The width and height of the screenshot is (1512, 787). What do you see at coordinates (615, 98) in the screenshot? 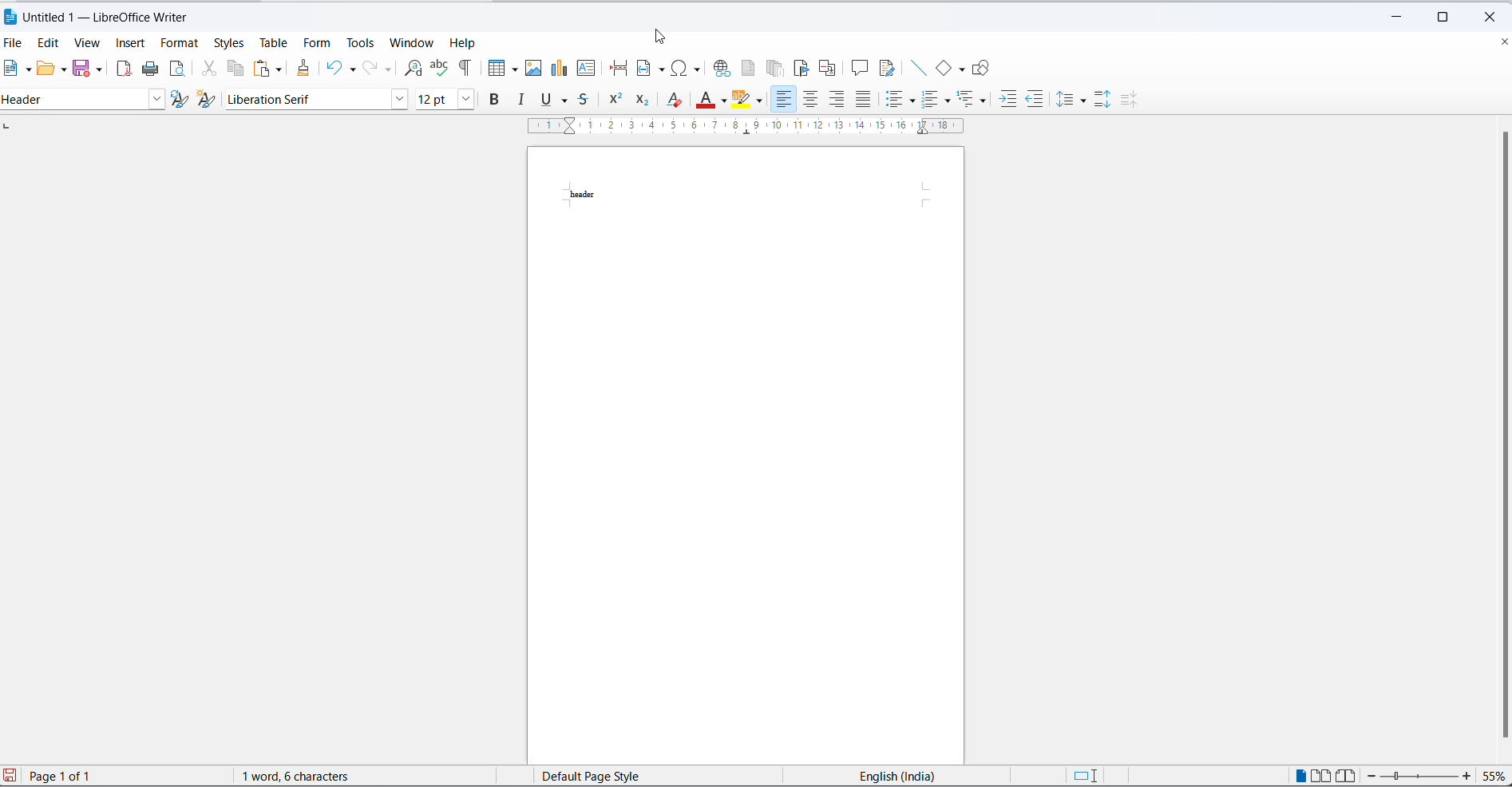
I see `superscript` at bounding box center [615, 98].